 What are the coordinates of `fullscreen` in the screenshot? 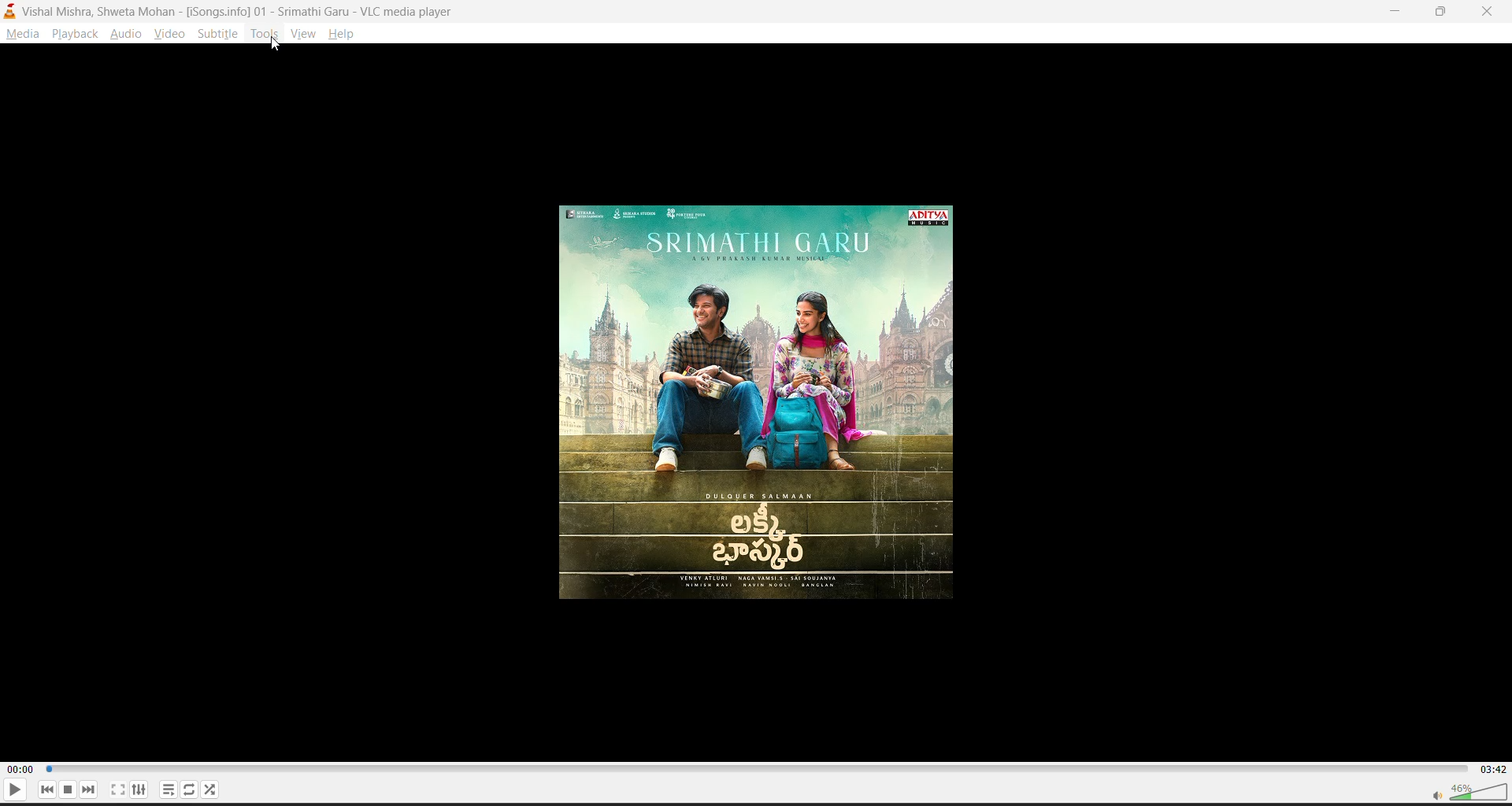 It's located at (116, 789).